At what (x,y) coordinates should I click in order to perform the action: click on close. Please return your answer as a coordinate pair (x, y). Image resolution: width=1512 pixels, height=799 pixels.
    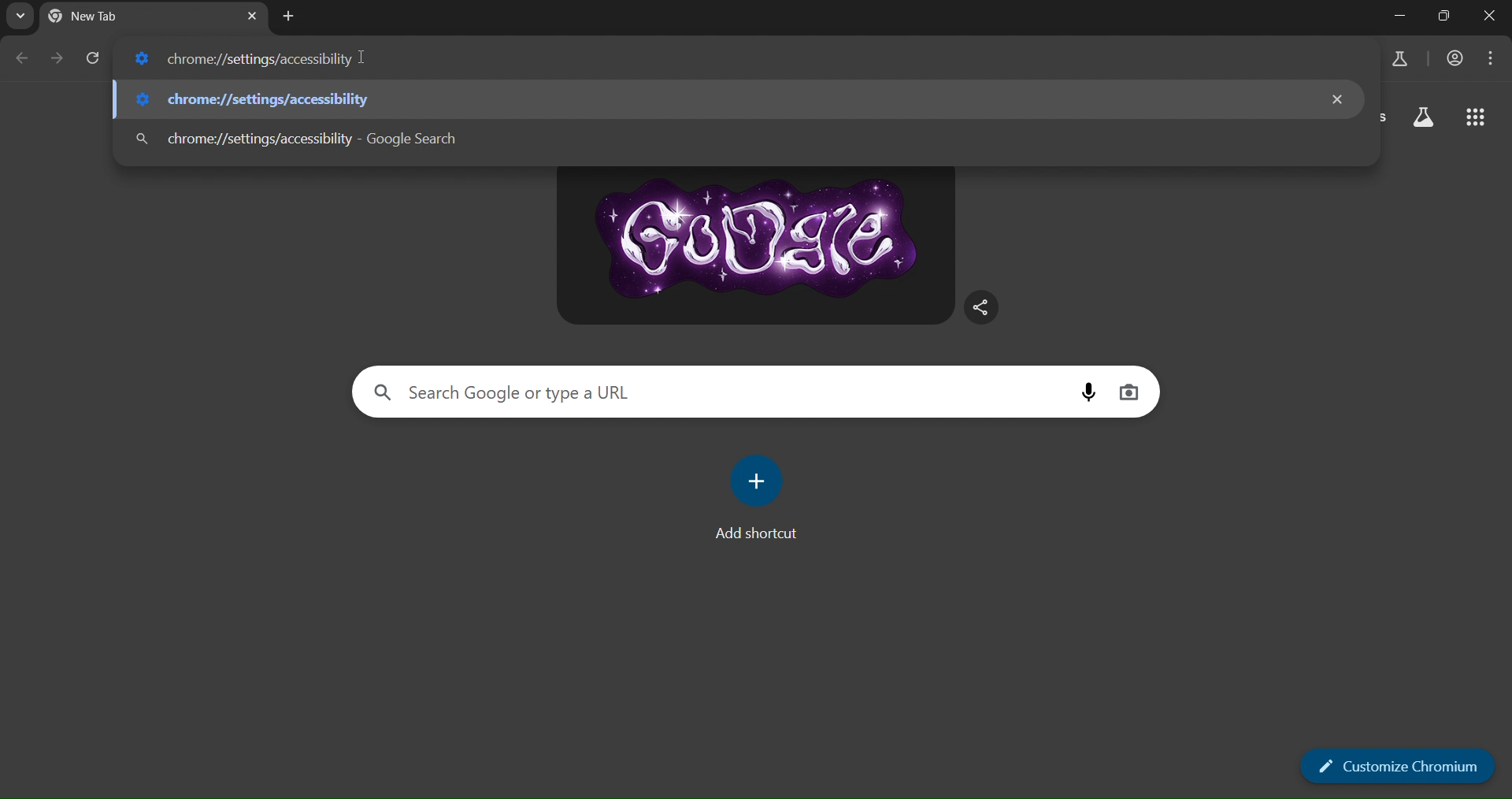
    Looking at the image, I should click on (1327, 98).